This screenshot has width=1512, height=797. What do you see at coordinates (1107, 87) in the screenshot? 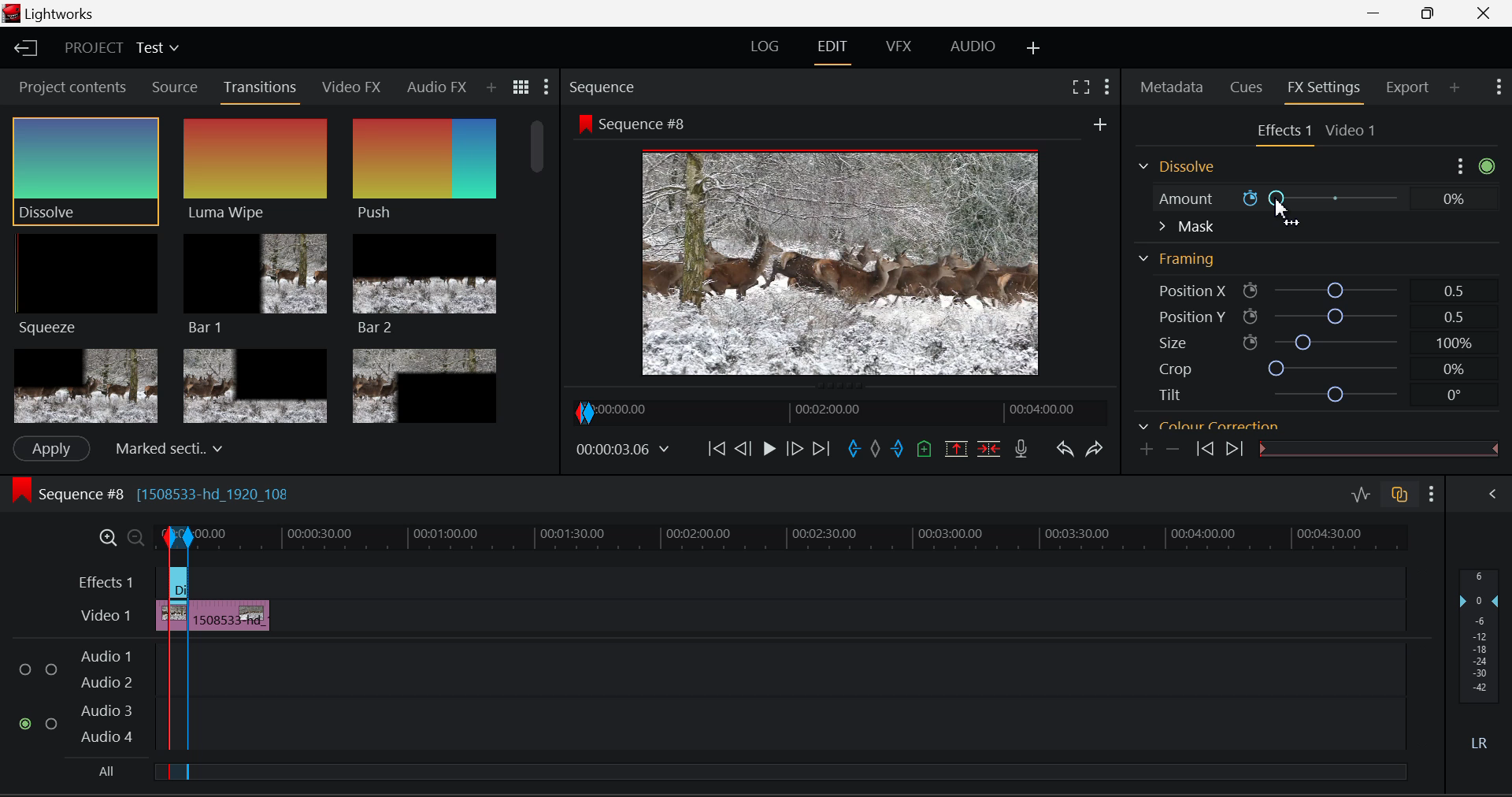
I see `Show Settings` at bounding box center [1107, 87].